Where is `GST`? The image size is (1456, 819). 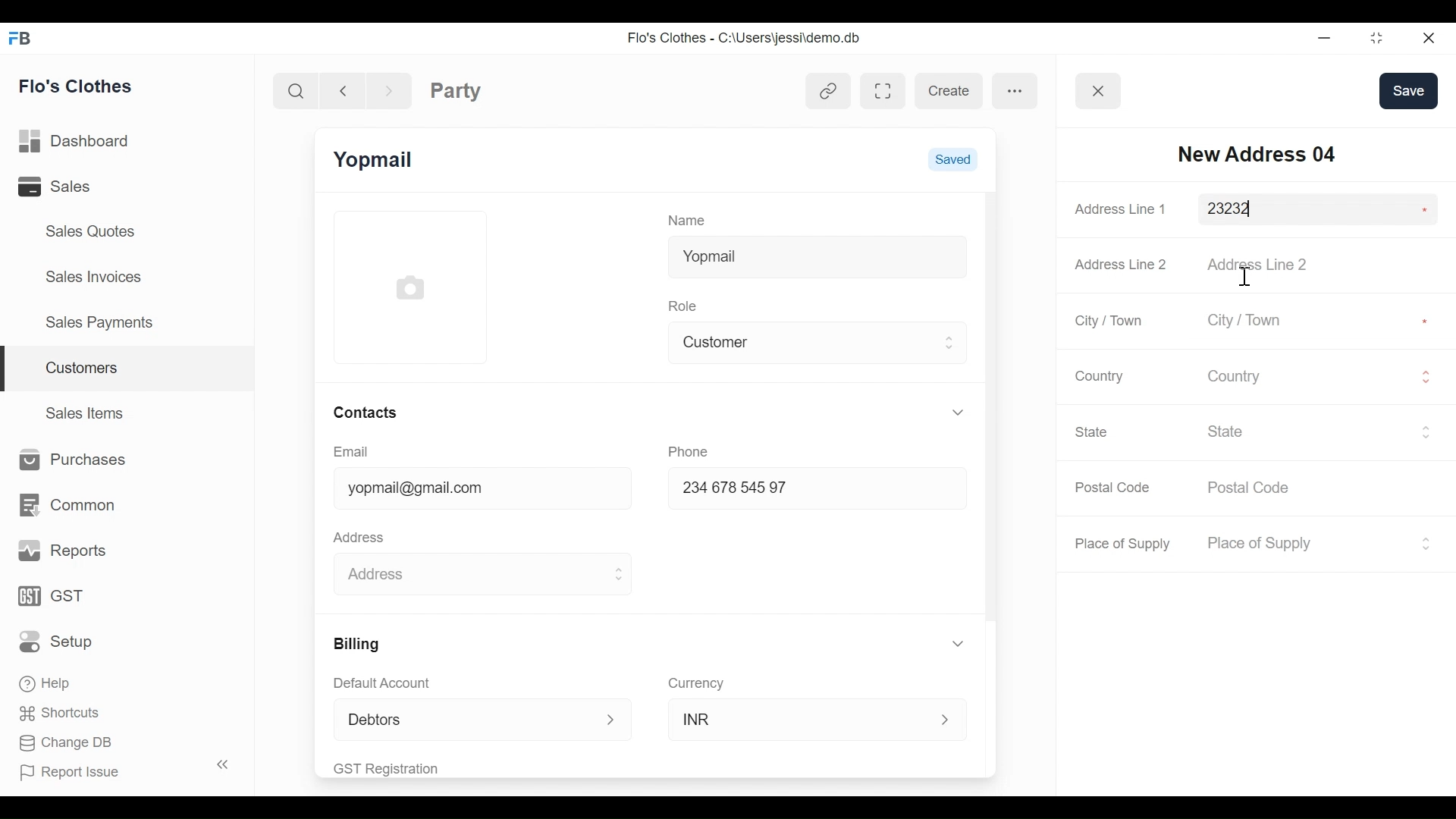
GST is located at coordinates (53, 598).